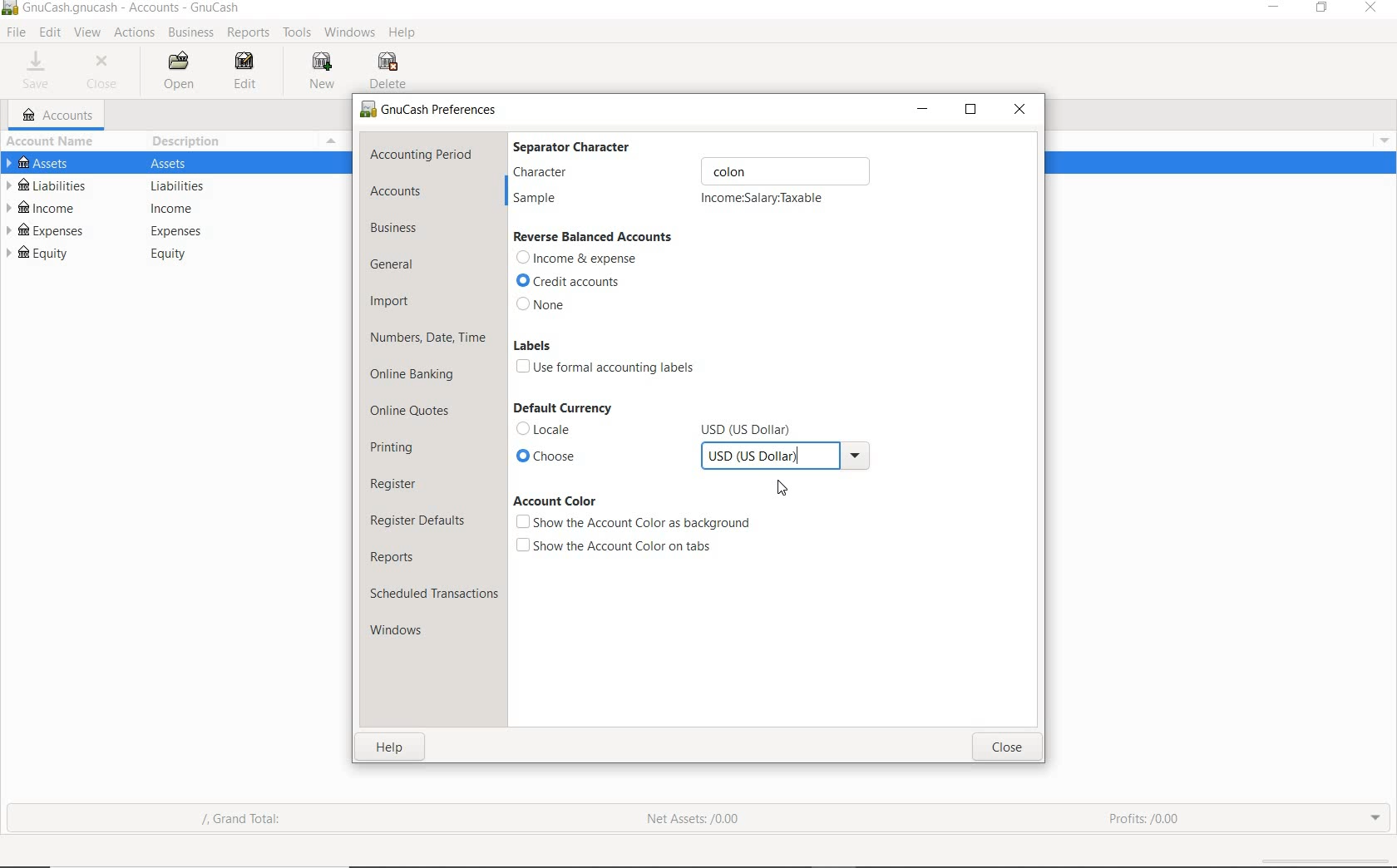 The image size is (1397, 868). I want to click on net assets, so click(690, 818).